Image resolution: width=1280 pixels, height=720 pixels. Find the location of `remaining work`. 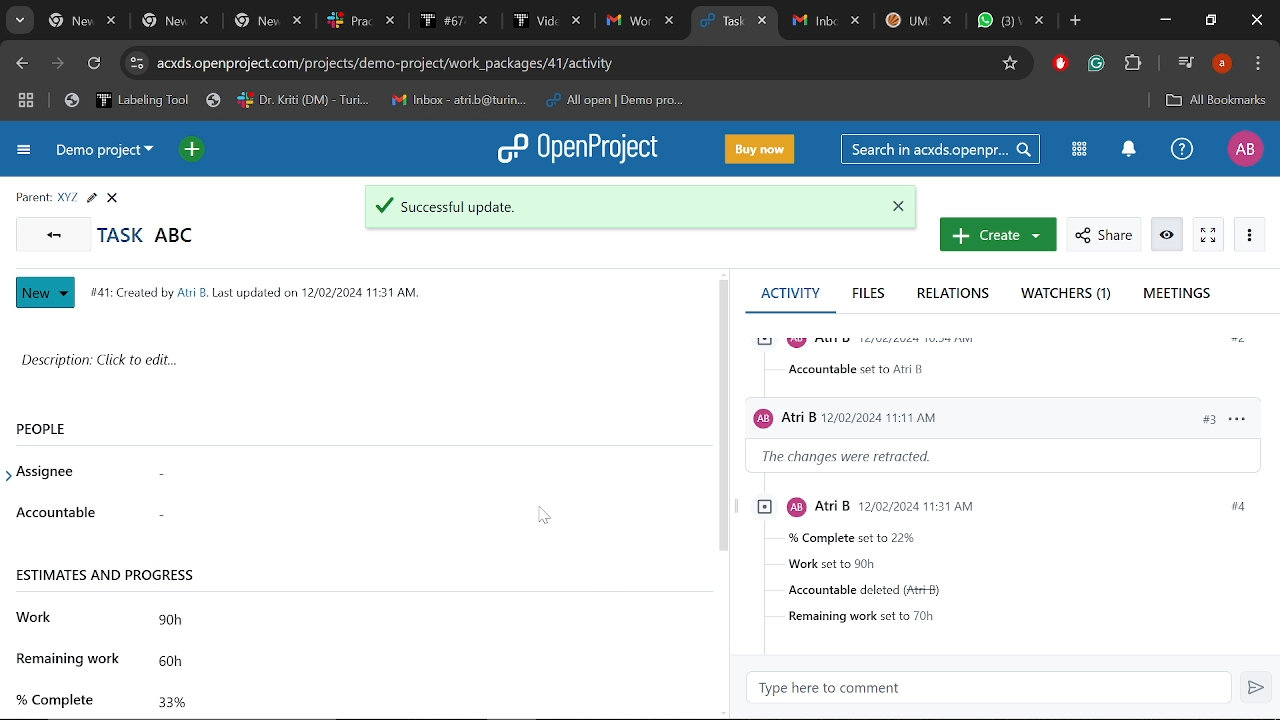

remaining work is located at coordinates (71, 658).